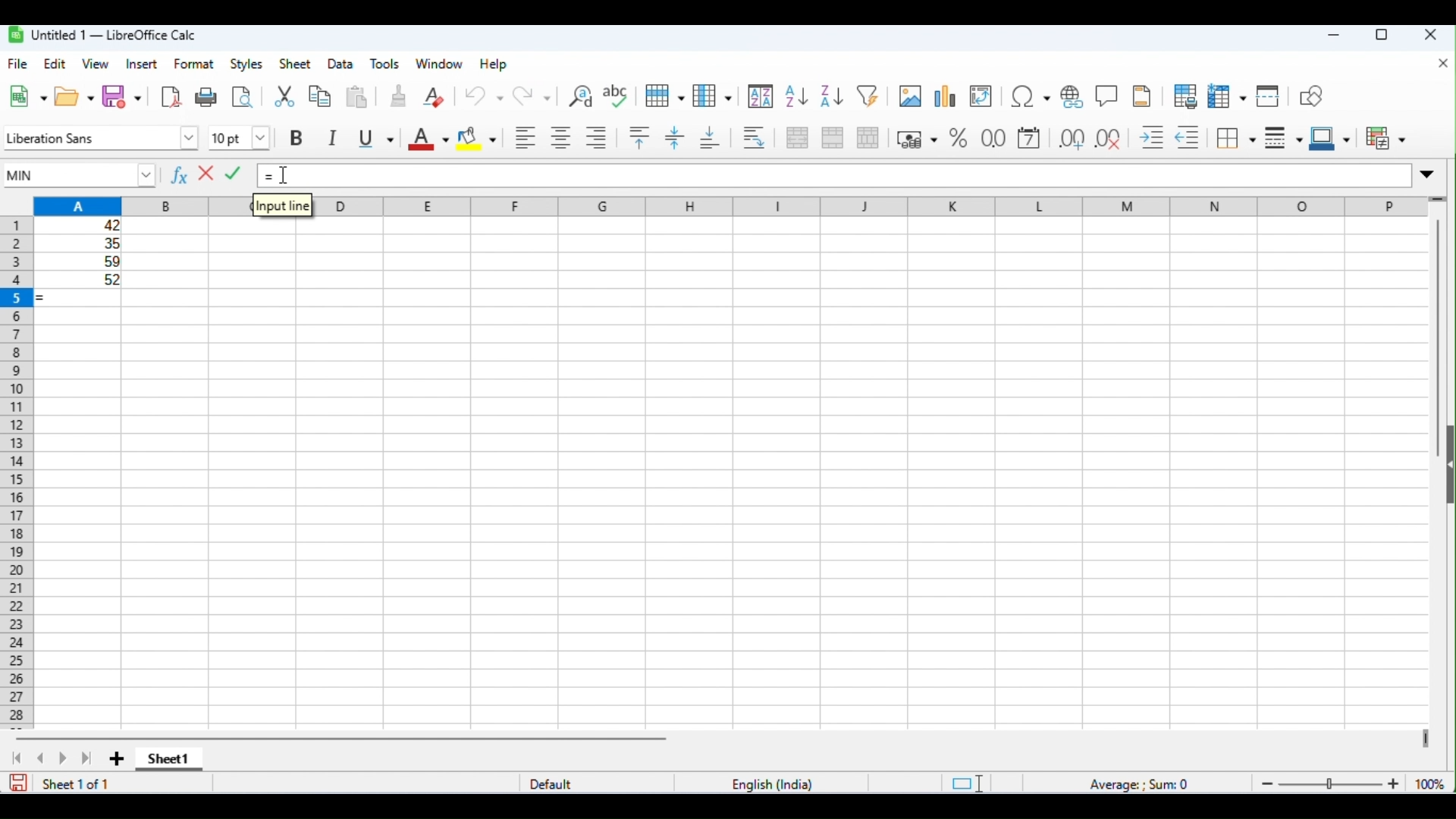 The height and width of the screenshot is (819, 1456). Describe the element at coordinates (830, 96) in the screenshot. I see `sort descending` at that location.